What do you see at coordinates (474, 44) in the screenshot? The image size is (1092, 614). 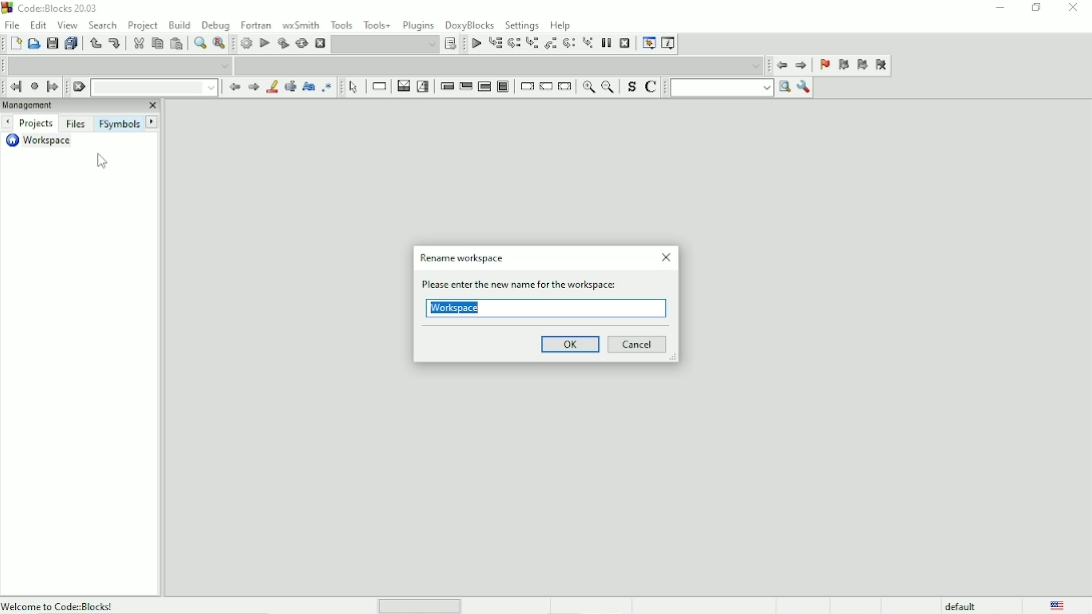 I see `Debug/Continue` at bounding box center [474, 44].